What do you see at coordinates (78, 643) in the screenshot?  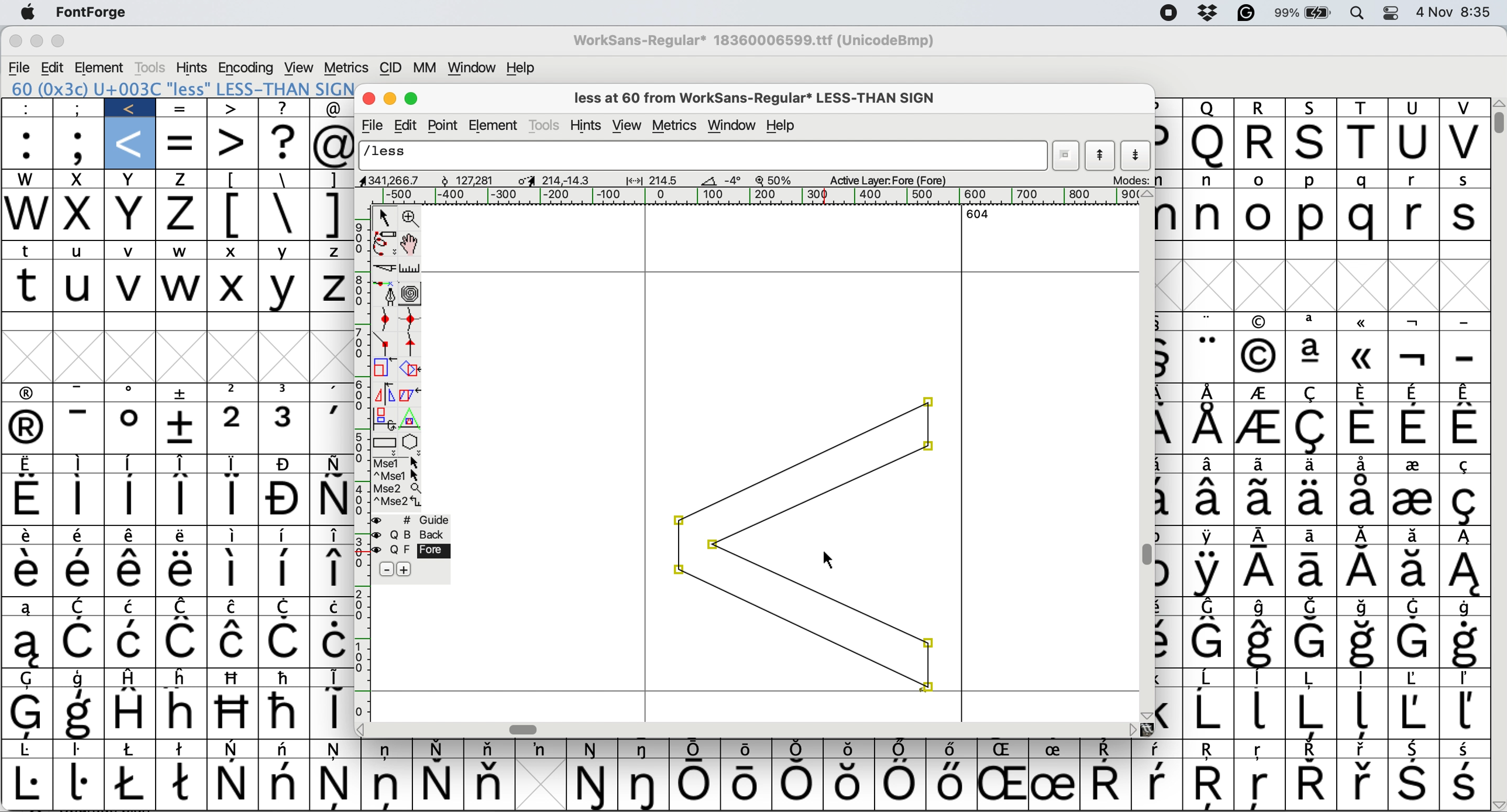 I see `Symbol` at bounding box center [78, 643].